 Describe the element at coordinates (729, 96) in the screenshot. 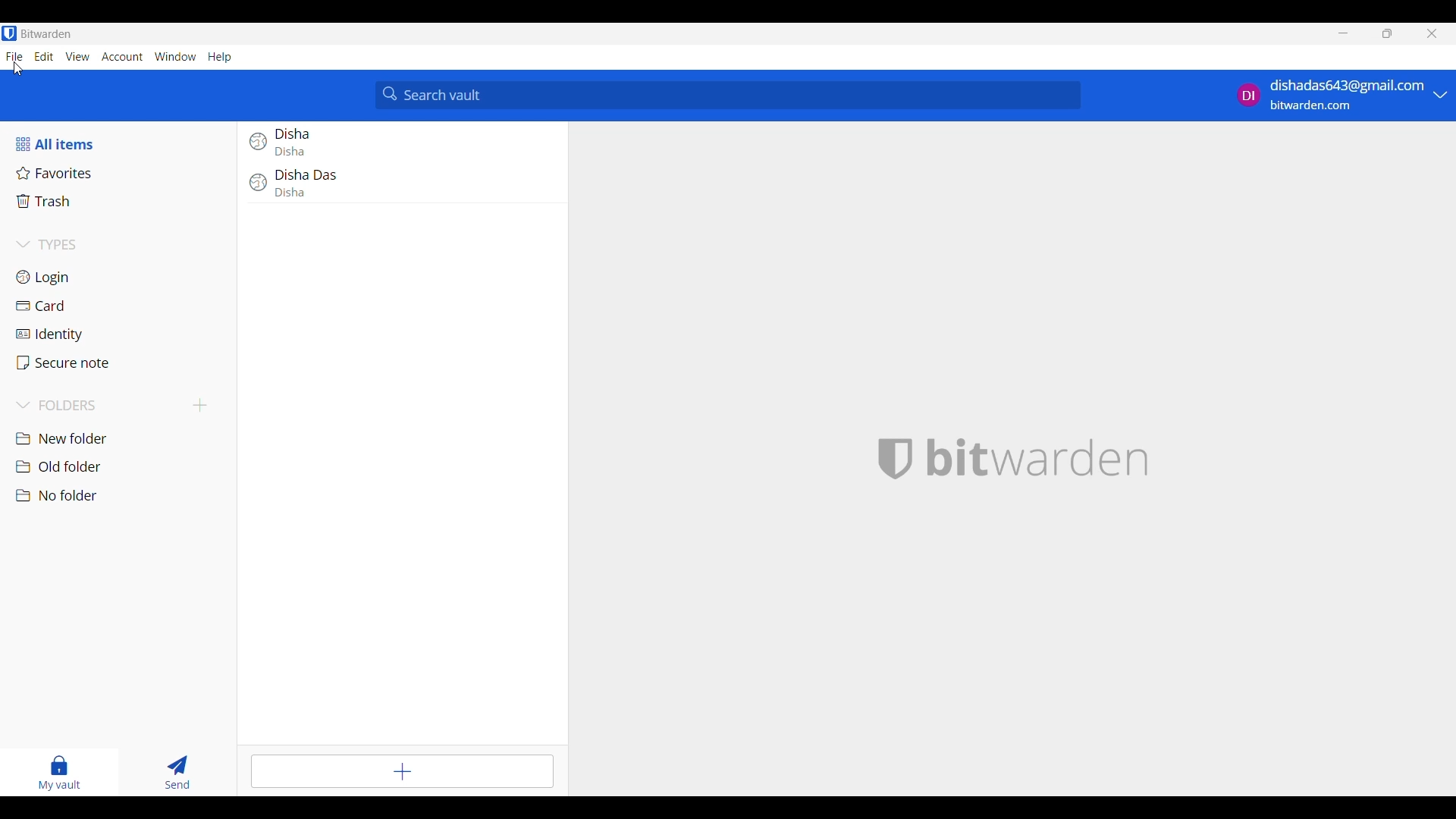

I see `Search vault` at that location.